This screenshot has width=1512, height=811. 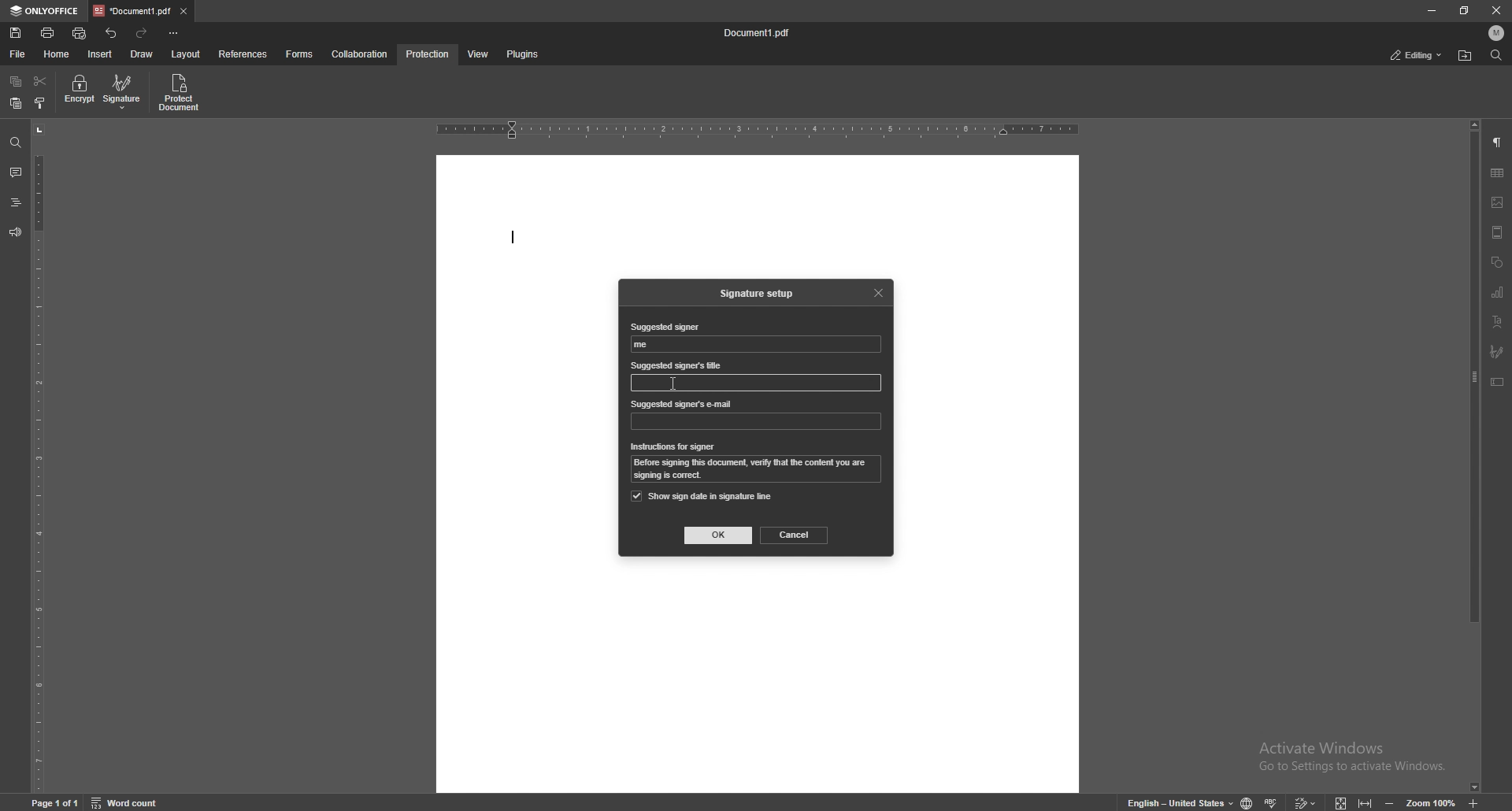 I want to click on typing start, so click(x=515, y=238).